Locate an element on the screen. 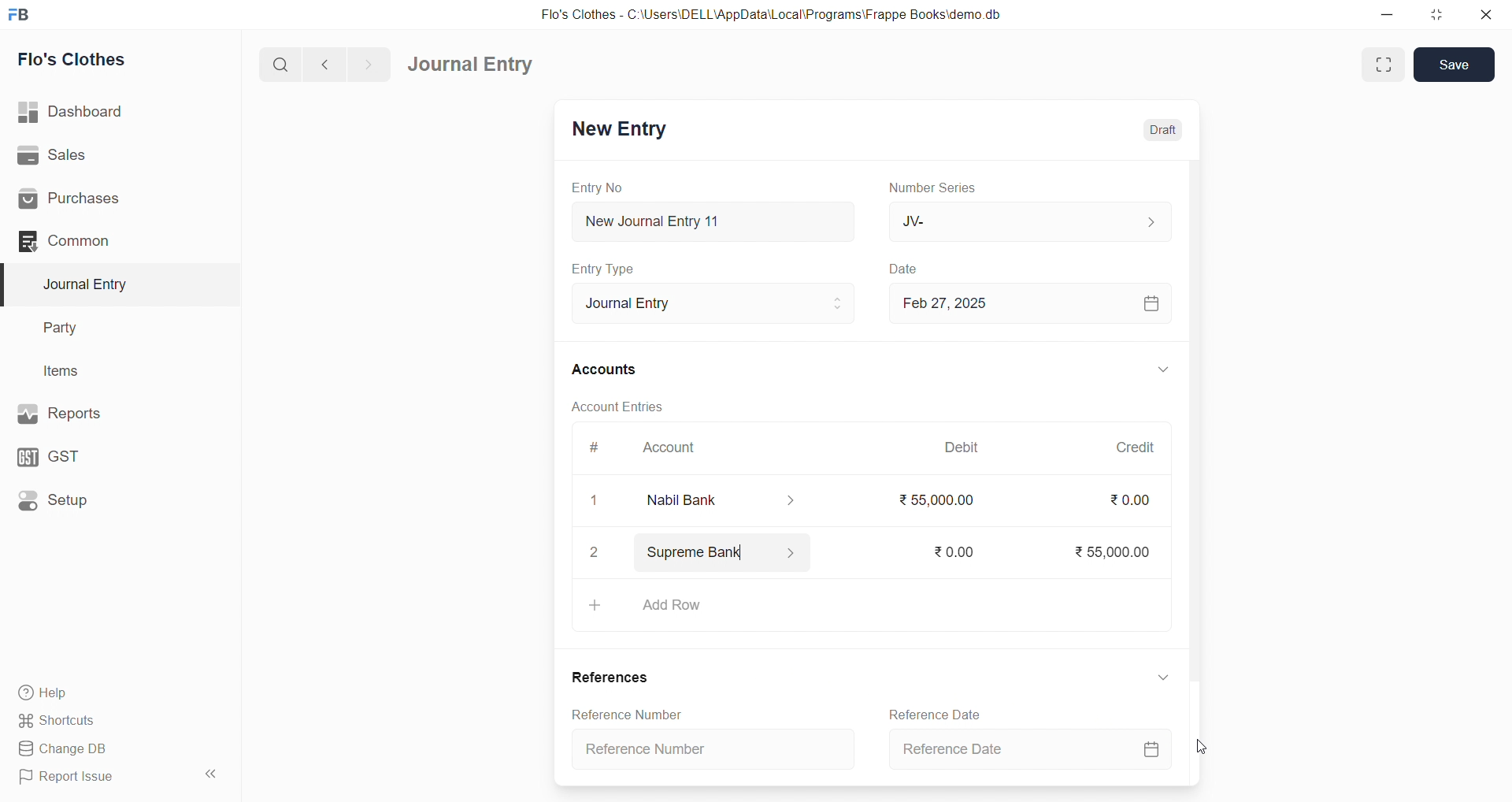  Save is located at coordinates (1455, 65).